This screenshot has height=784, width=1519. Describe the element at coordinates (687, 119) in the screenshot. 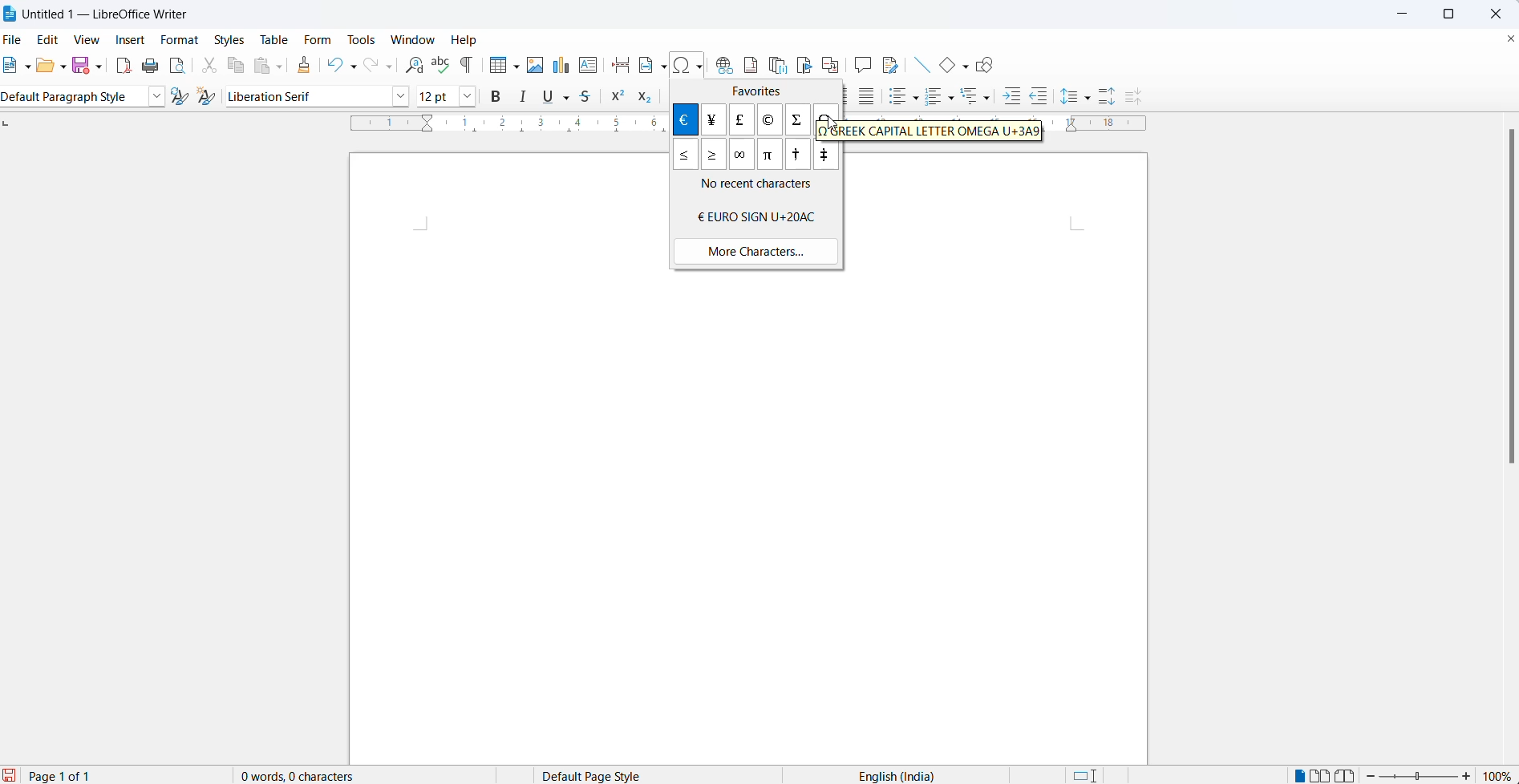

I see `euro` at that location.